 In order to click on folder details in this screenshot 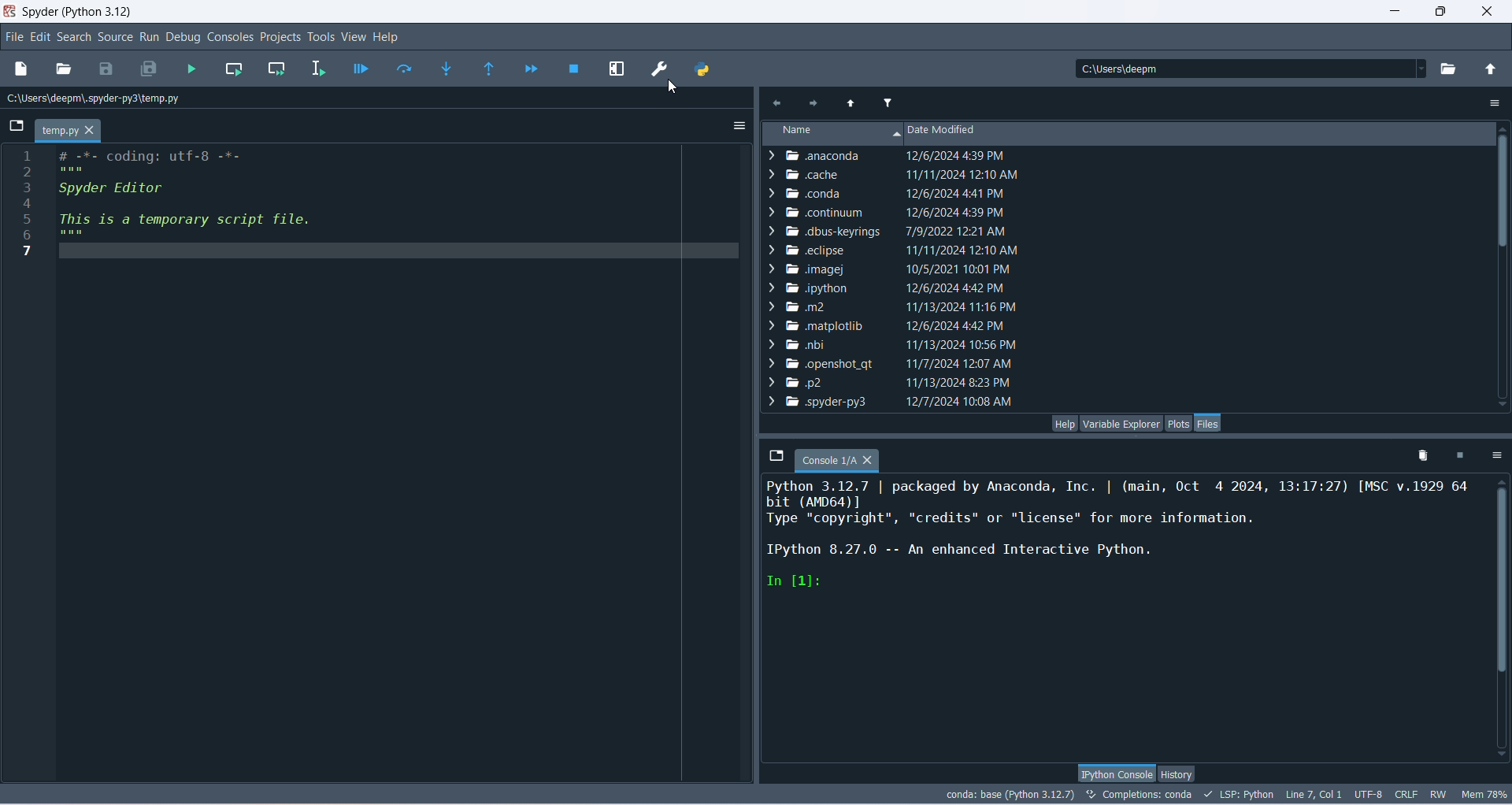, I will do `click(885, 157)`.